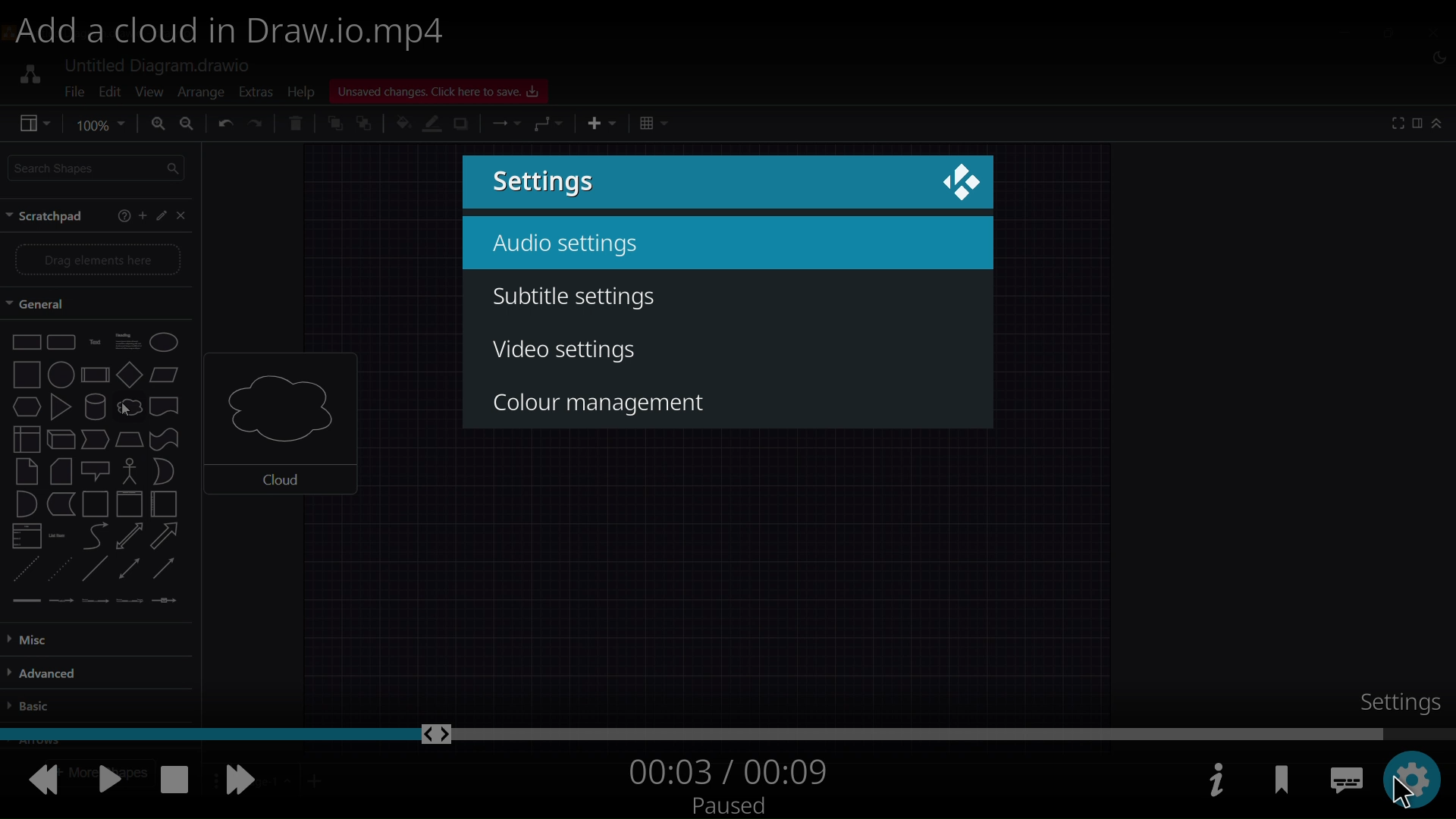  Describe the element at coordinates (1213, 780) in the screenshot. I see `video info` at that location.